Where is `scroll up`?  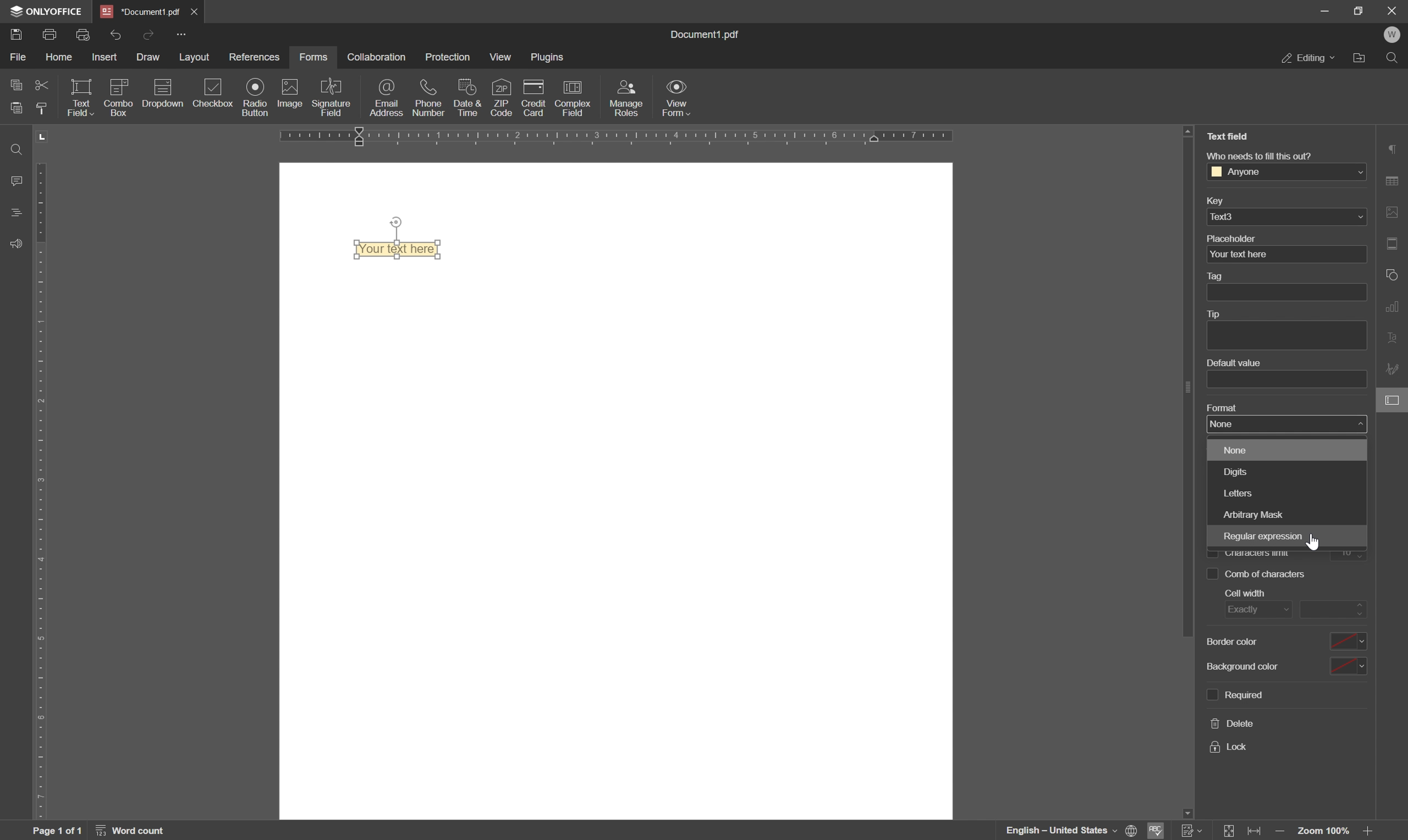 scroll up is located at coordinates (1188, 131).